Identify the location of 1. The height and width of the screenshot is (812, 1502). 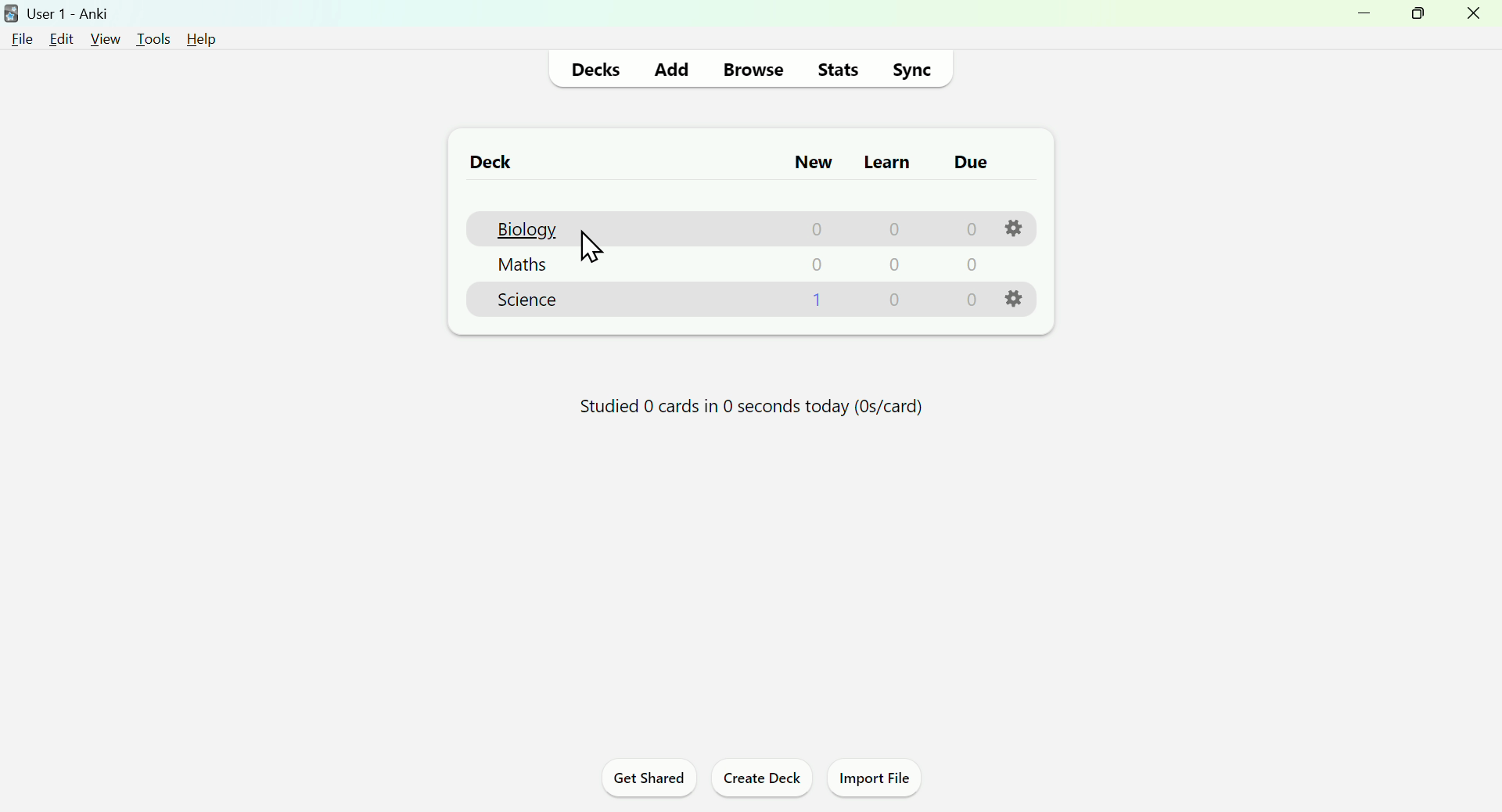
(815, 302).